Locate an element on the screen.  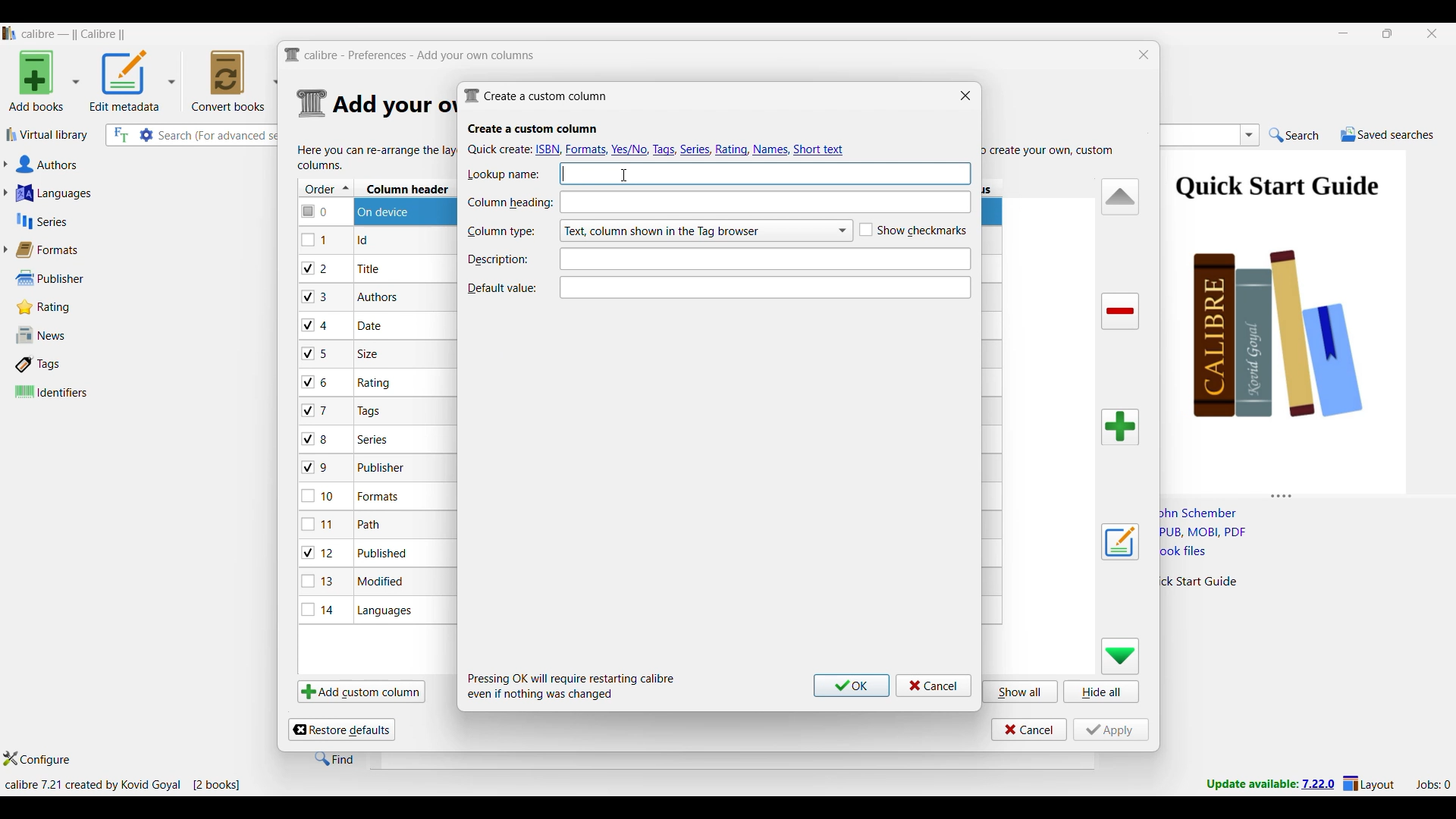
Publisher is located at coordinates (67, 278).